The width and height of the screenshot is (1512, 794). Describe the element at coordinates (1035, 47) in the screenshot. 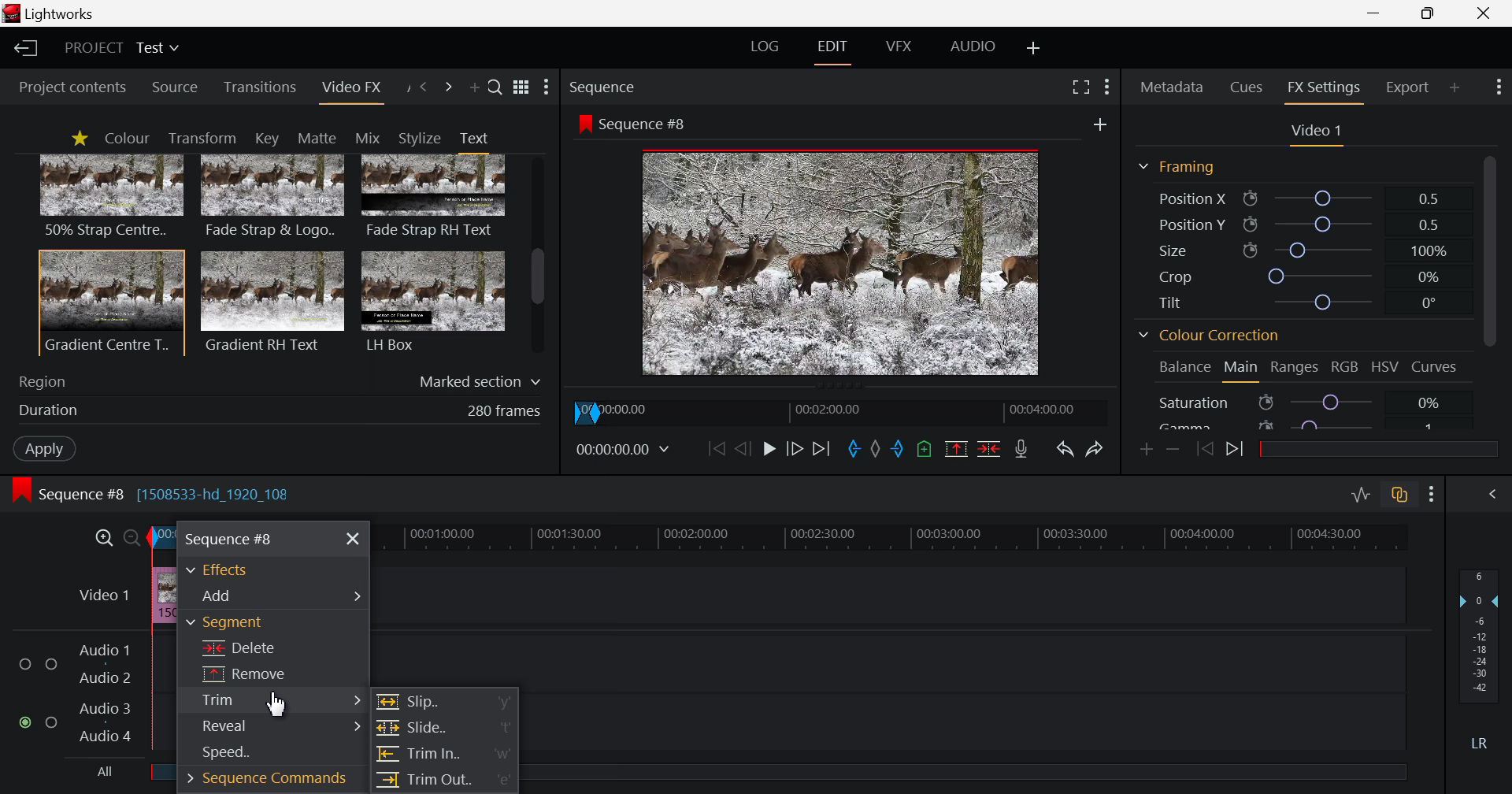

I see `Add Layout` at that location.